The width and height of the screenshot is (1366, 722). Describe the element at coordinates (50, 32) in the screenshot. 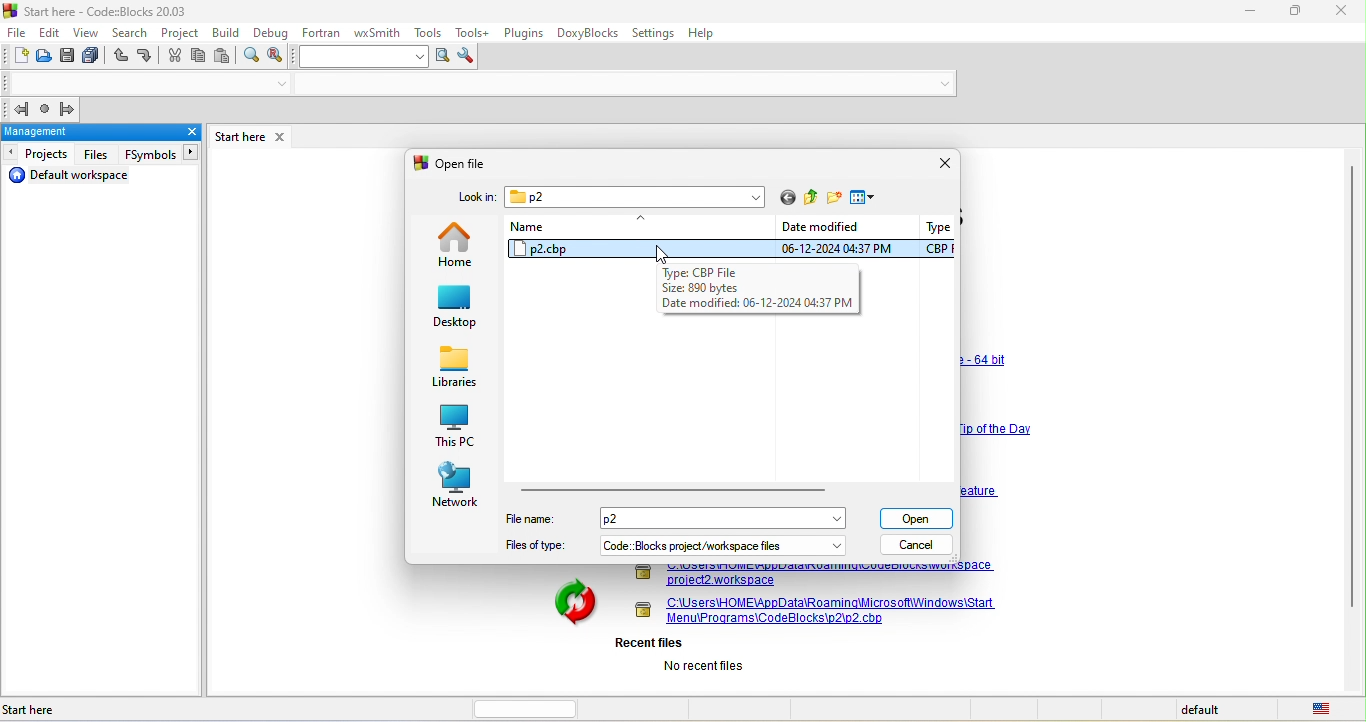

I see `edit` at that location.